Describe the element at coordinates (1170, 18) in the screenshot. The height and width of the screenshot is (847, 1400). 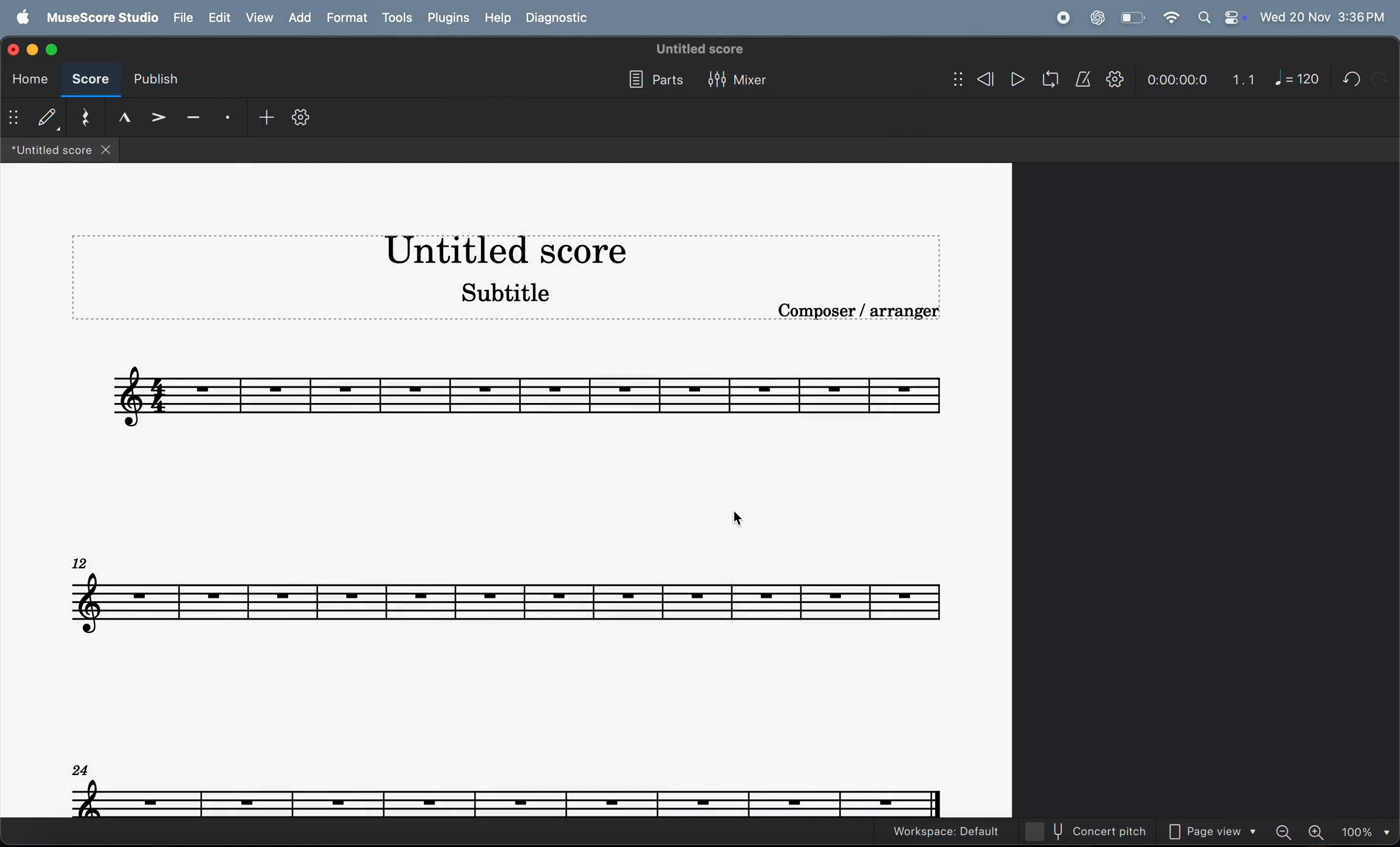
I see `wifi` at that location.